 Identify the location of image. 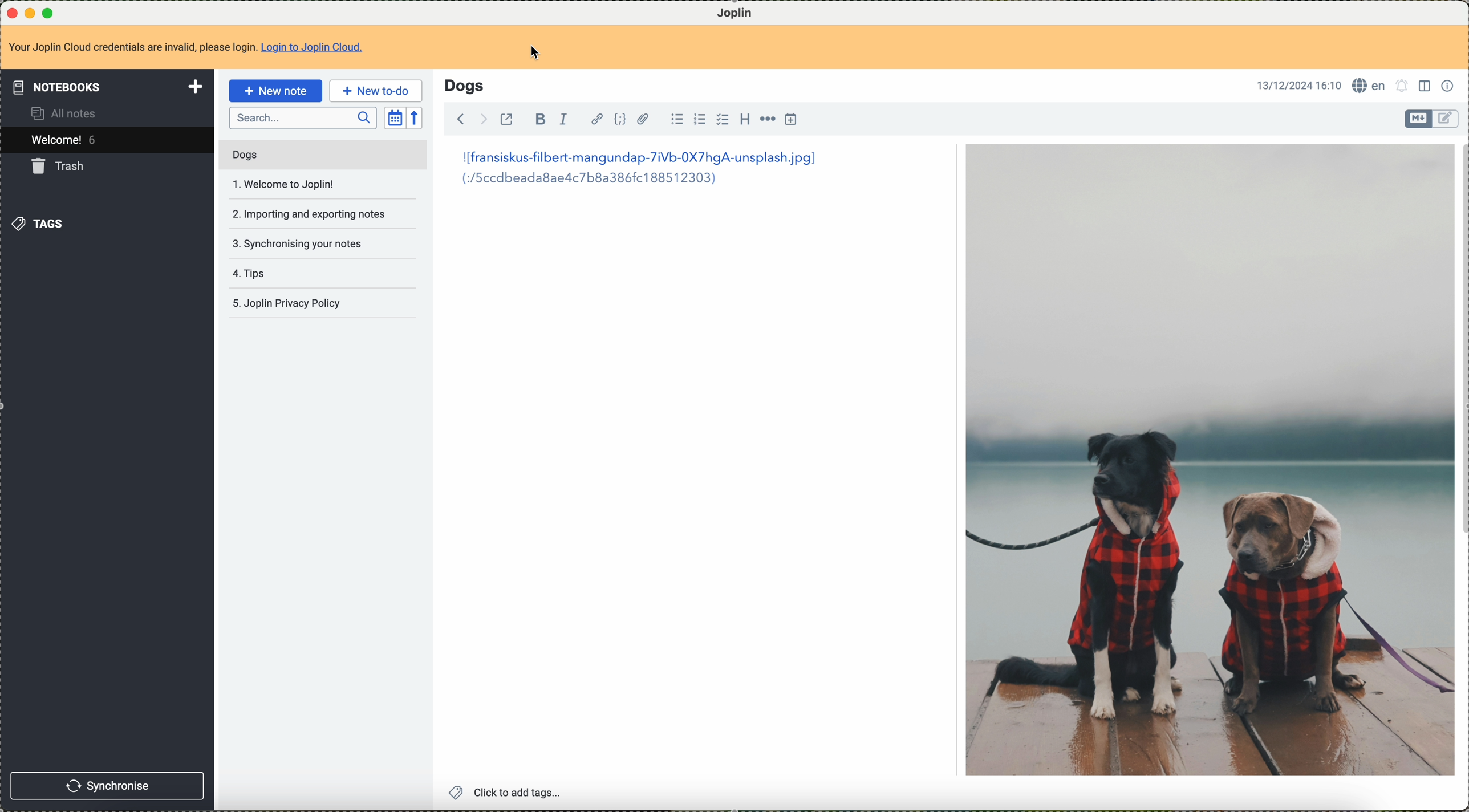
(1208, 460).